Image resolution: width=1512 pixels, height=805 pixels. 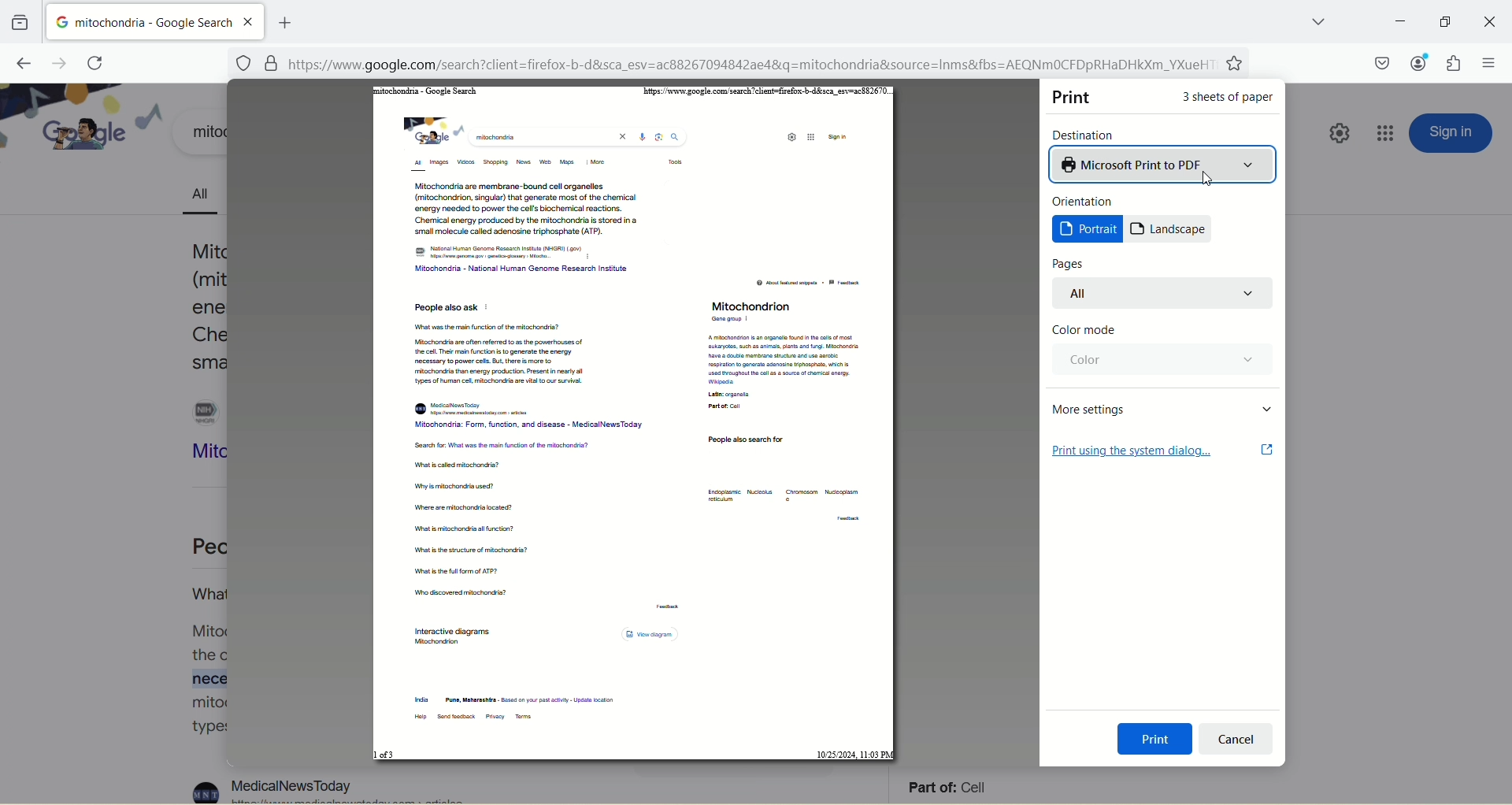 What do you see at coordinates (1170, 229) in the screenshot?
I see `landscape` at bounding box center [1170, 229].